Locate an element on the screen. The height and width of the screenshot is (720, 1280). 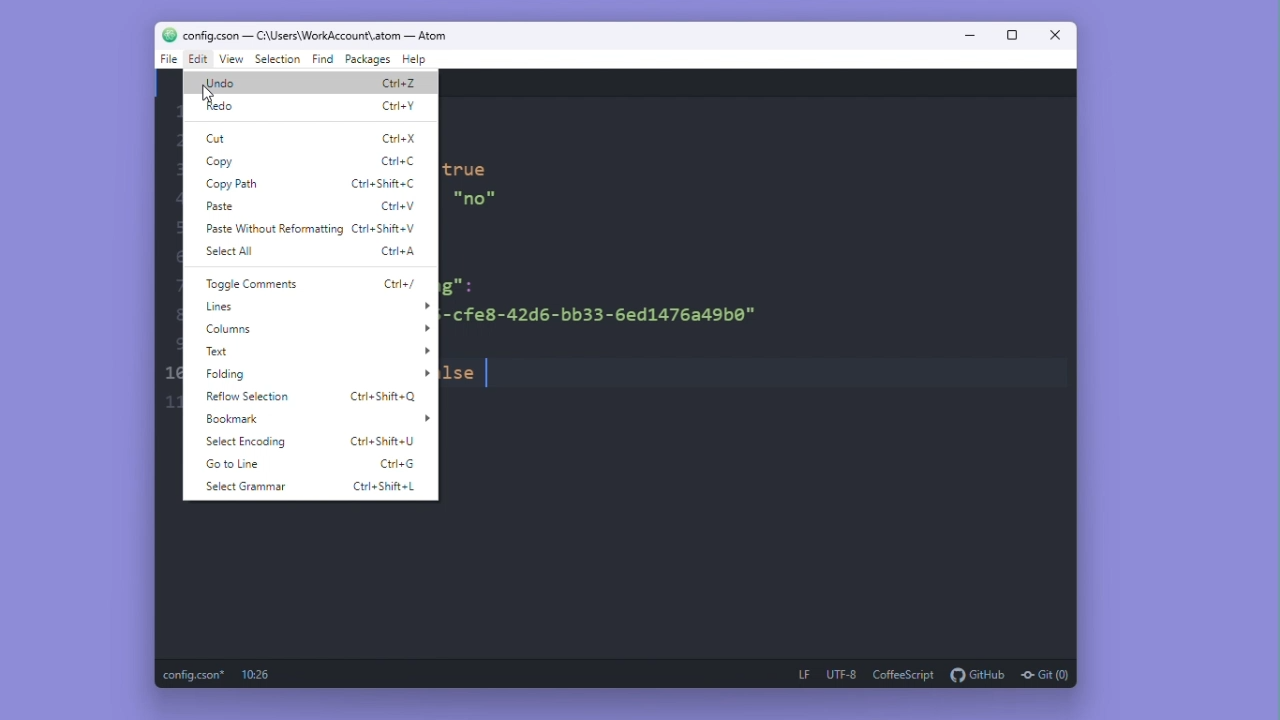
columns is located at coordinates (313, 329).